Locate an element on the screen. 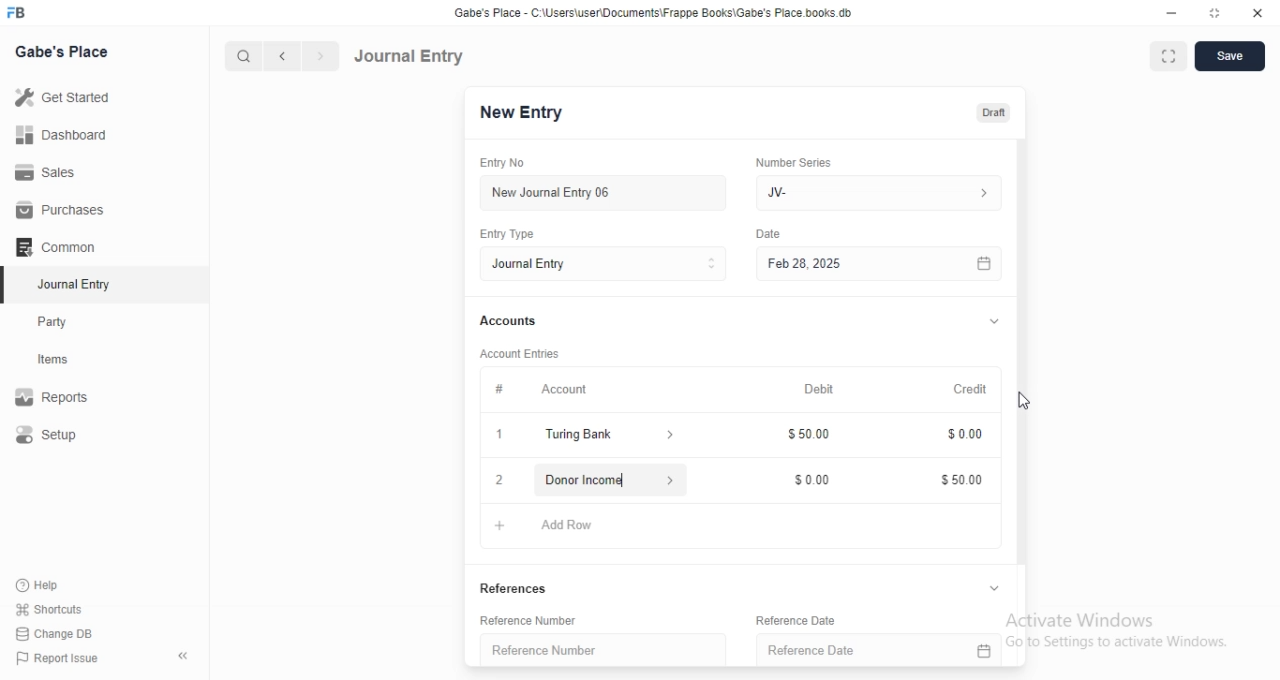  ‘Number Series is located at coordinates (805, 160).